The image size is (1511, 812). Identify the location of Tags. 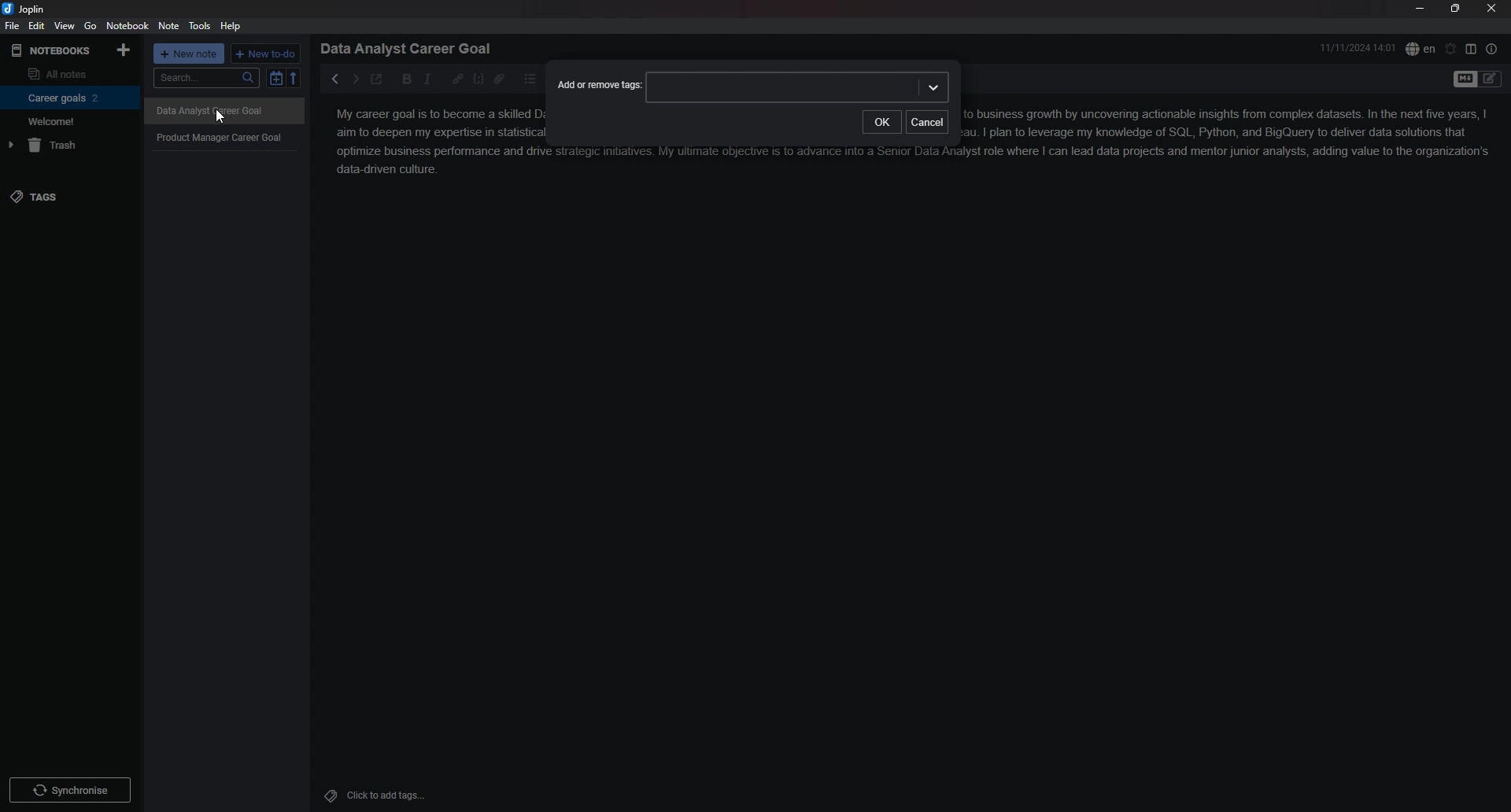
(327, 794).